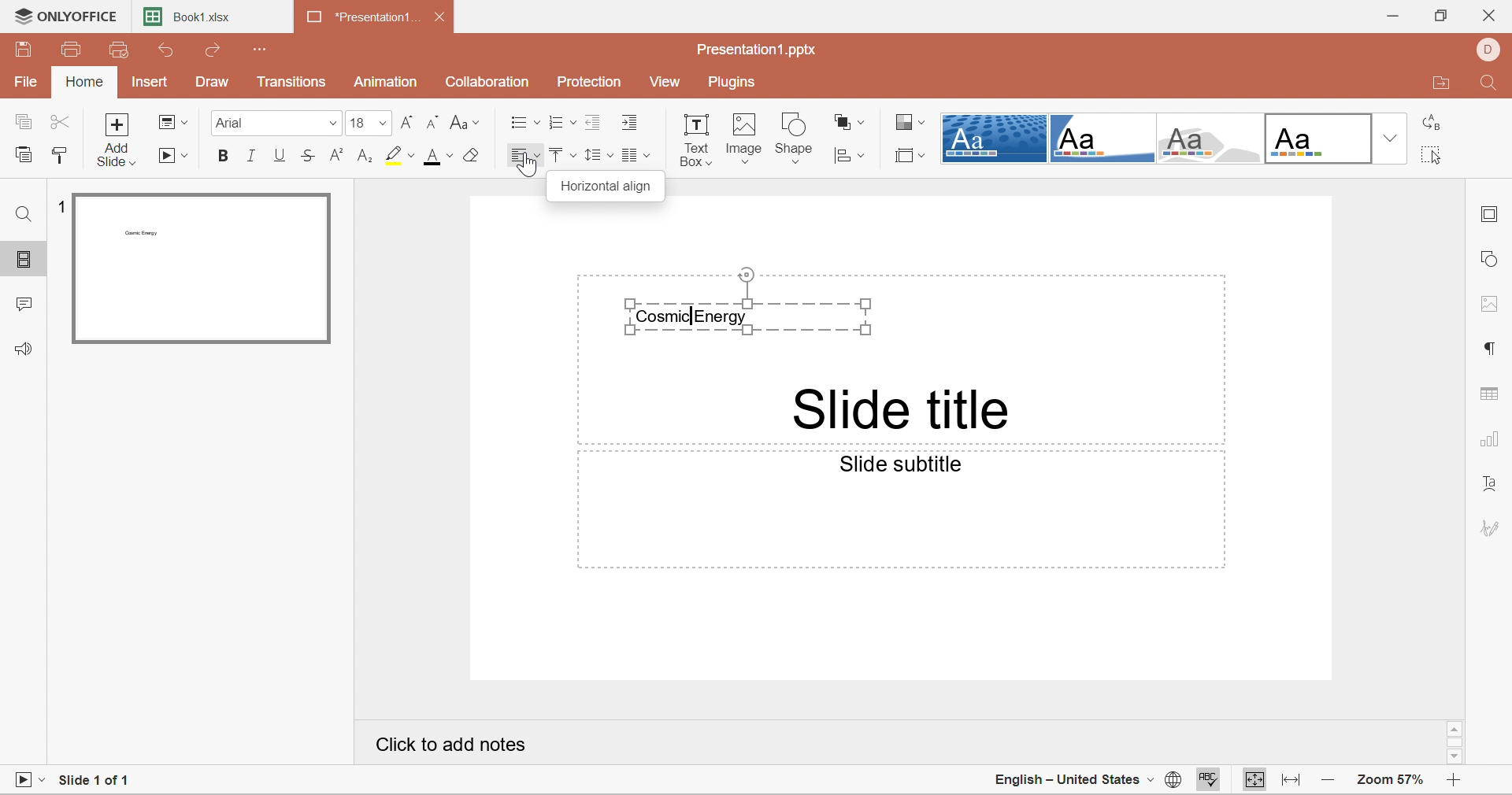 The image size is (1512, 795). What do you see at coordinates (219, 52) in the screenshot?
I see `Redo` at bounding box center [219, 52].